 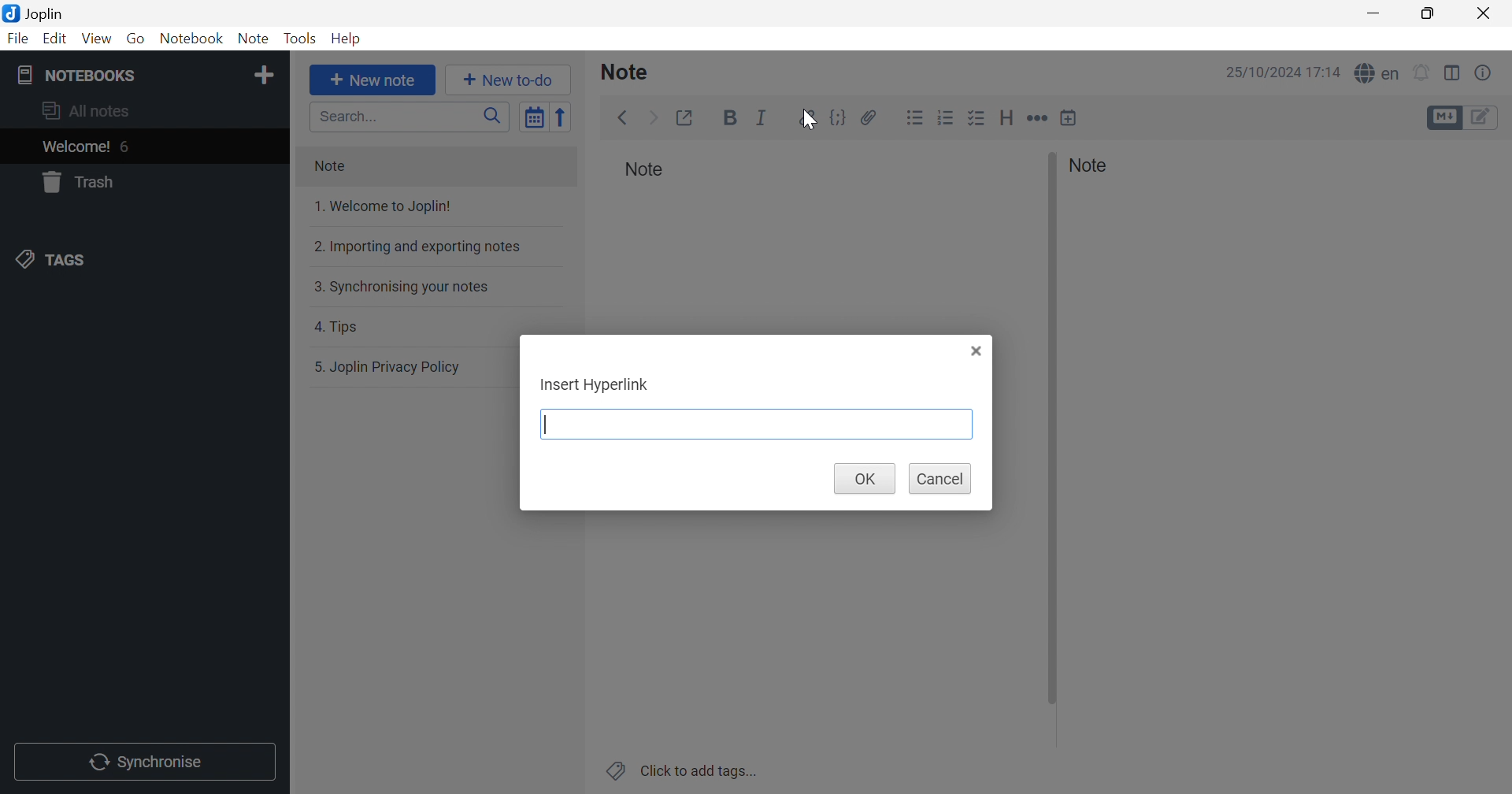 I want to click on 1. Welcome to Joplin!, so click(x=427, y=208).